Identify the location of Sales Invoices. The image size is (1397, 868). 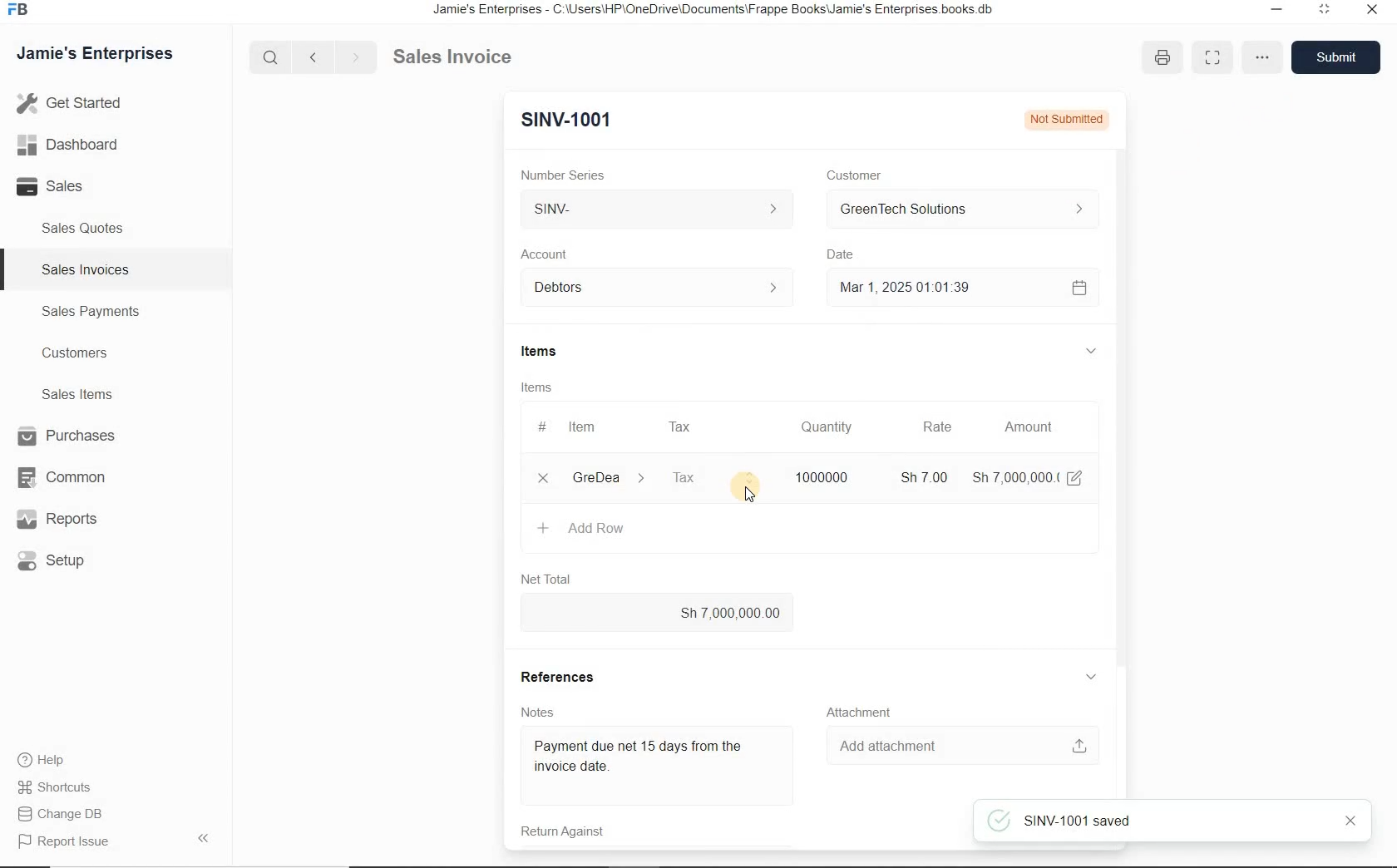
(83, 269).